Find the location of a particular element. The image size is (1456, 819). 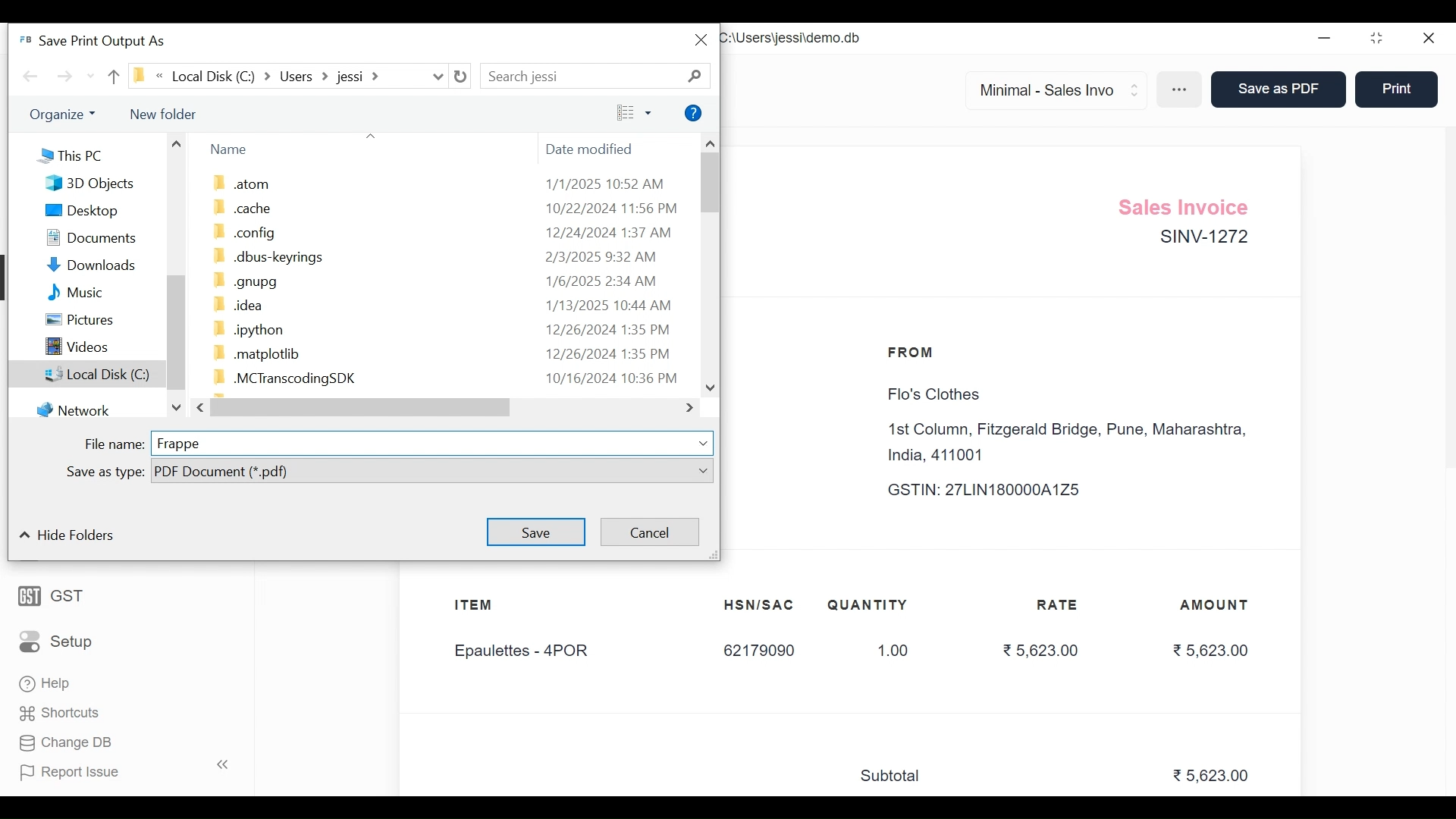

.gnupg is located at coordinates (242, 281).